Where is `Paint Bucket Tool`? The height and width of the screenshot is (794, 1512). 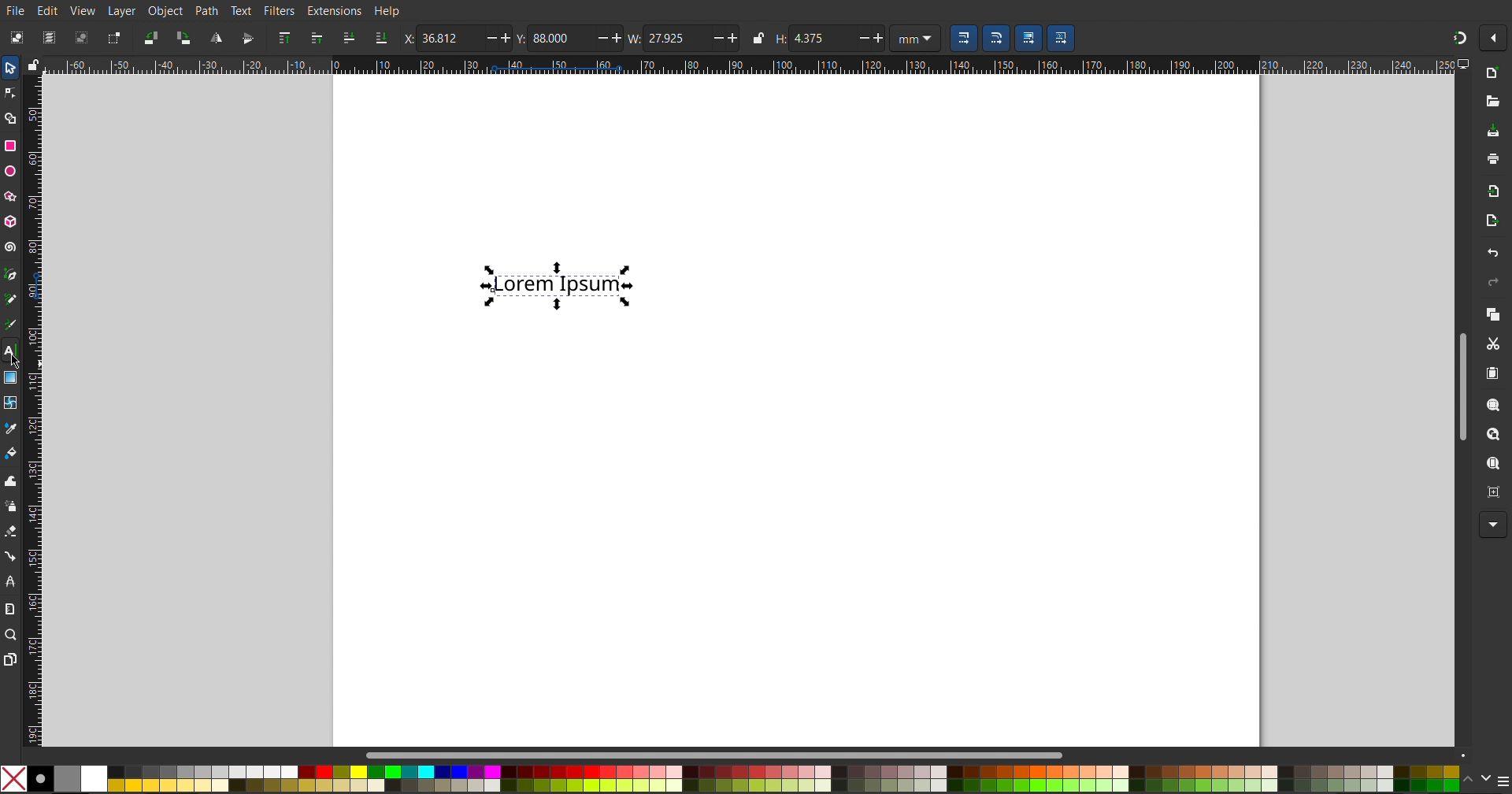 Paint Bucket Tool is located at coordinates (13, 450).